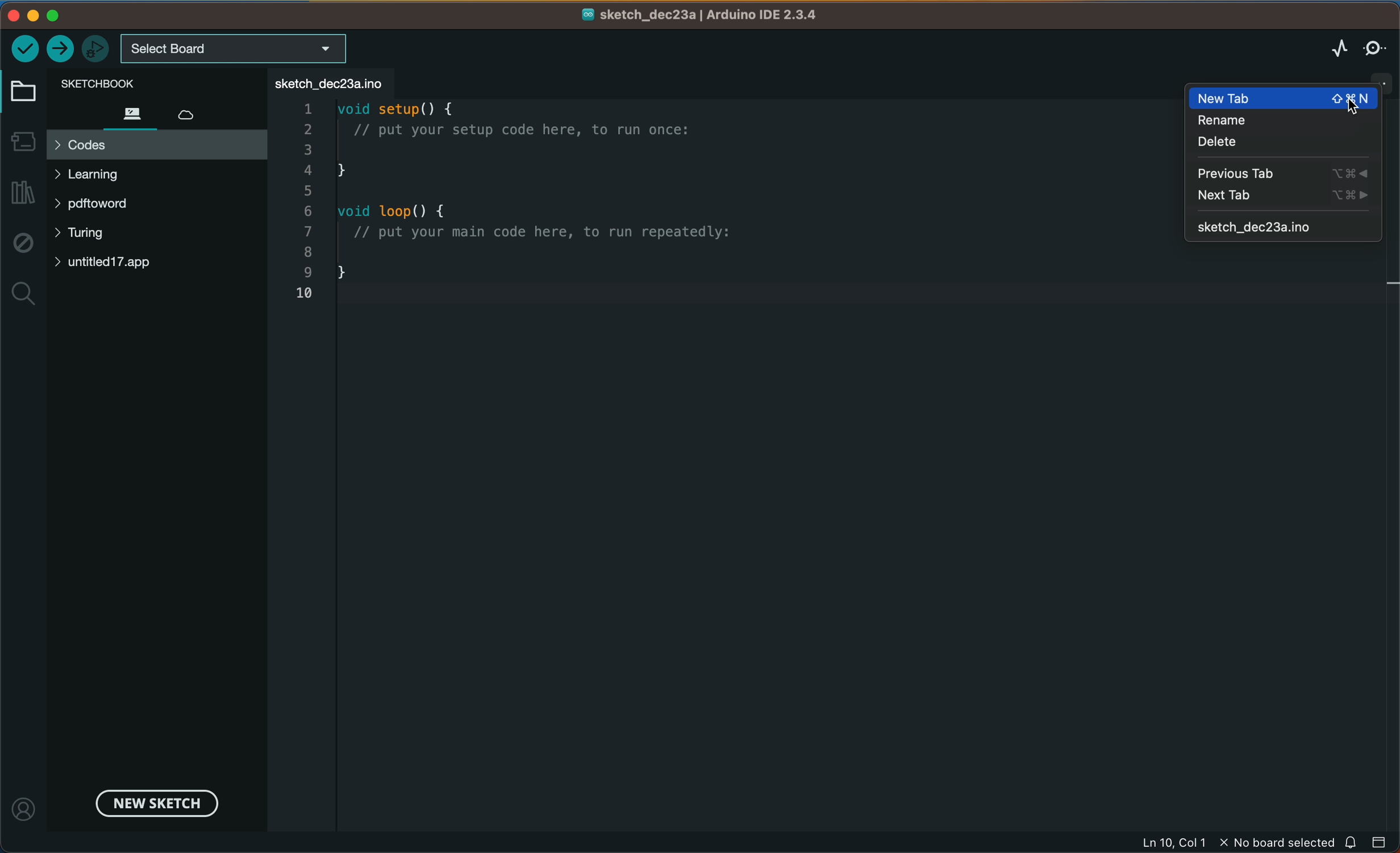 The width and height of the screenshot is (1400, 853). What do you see at coordinates (131, 113) in the screenshot?
I see `files` at bounding box center [131, 113].